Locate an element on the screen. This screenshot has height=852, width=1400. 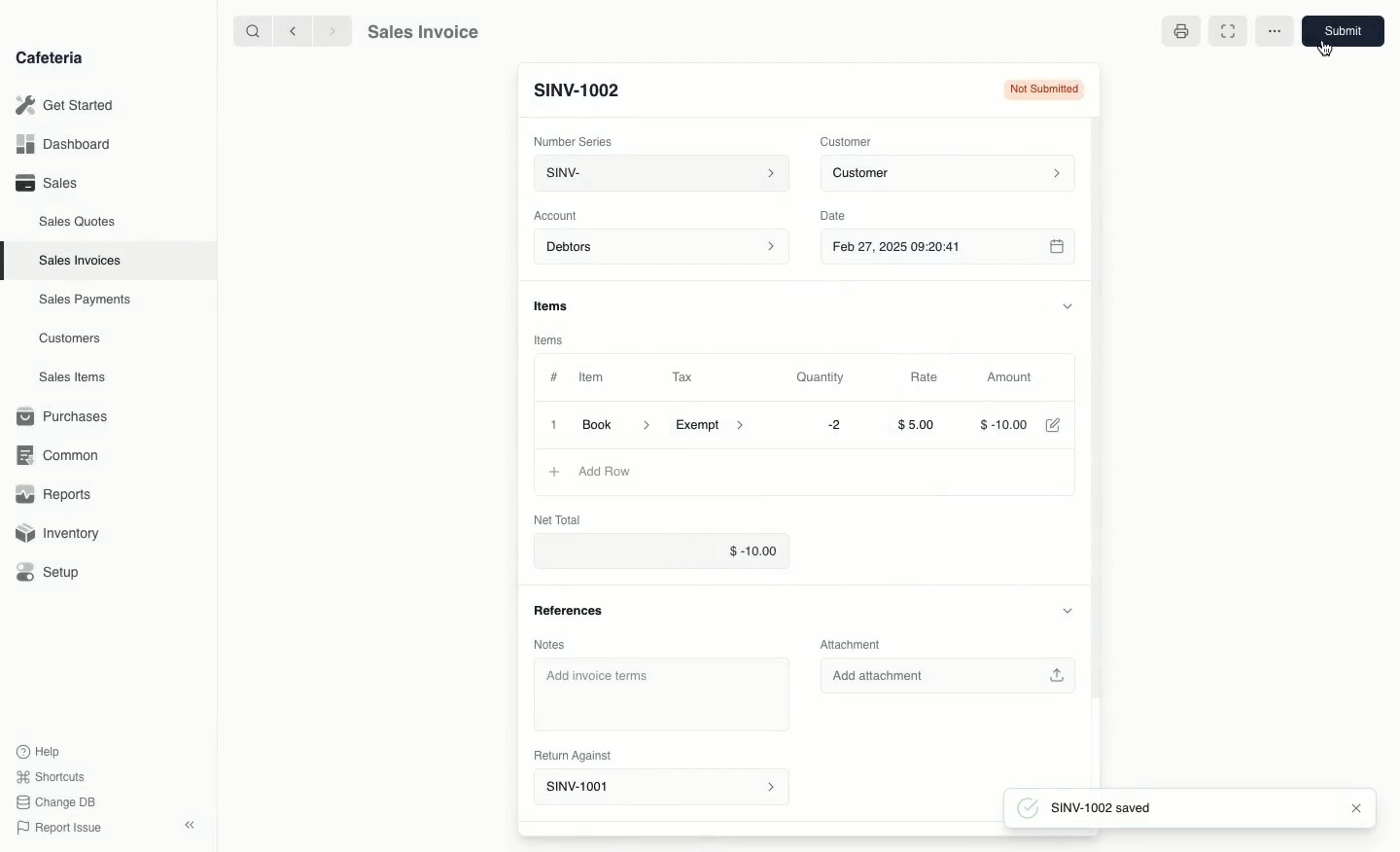
Not submitted is located at coordinates (1044, 89).